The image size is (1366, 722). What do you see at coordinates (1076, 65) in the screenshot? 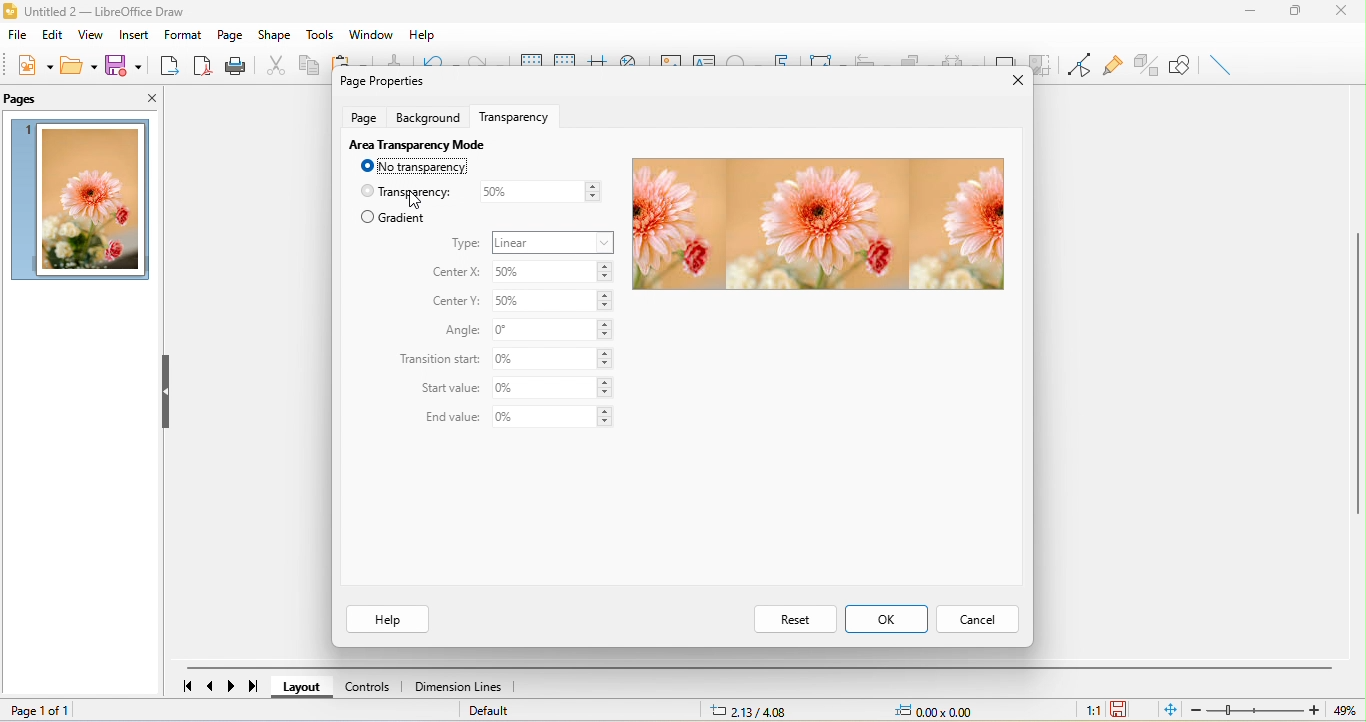
I see `toggle point edit mode` at bounding box center [1076, 65].